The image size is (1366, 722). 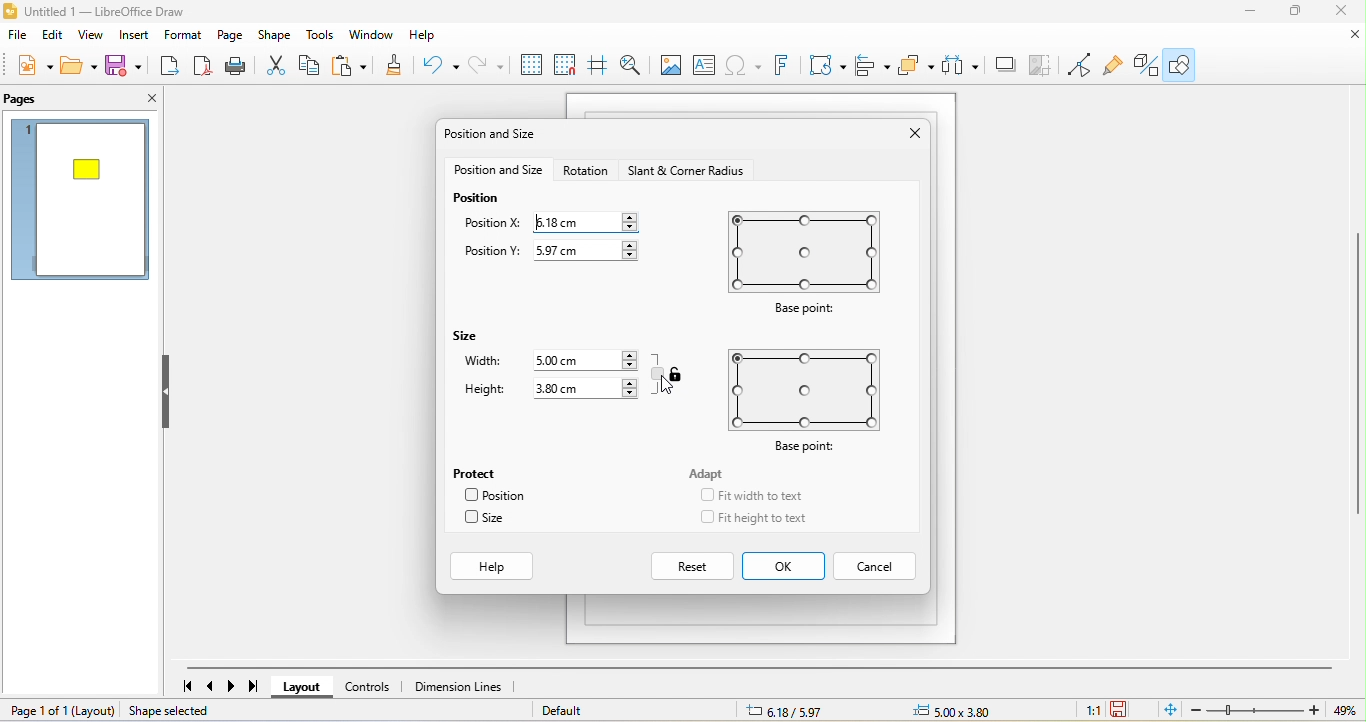 I want to click on toggle point edit mode, so click(x=1084, y=65).